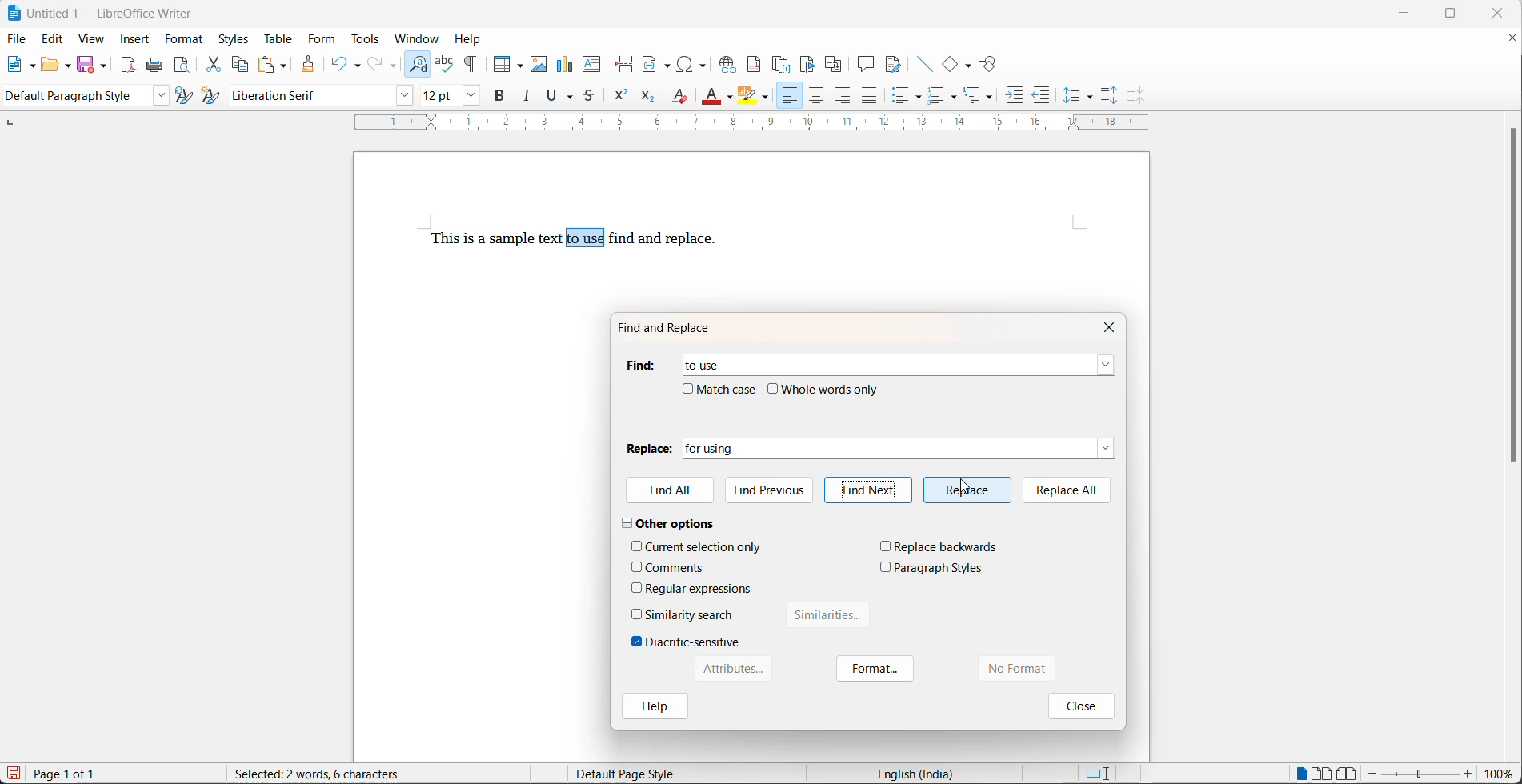 This screenshot has width=1522, height=784. Describe the element at coordinates (551, 98) in the screenshot. I see `underline` at that location.